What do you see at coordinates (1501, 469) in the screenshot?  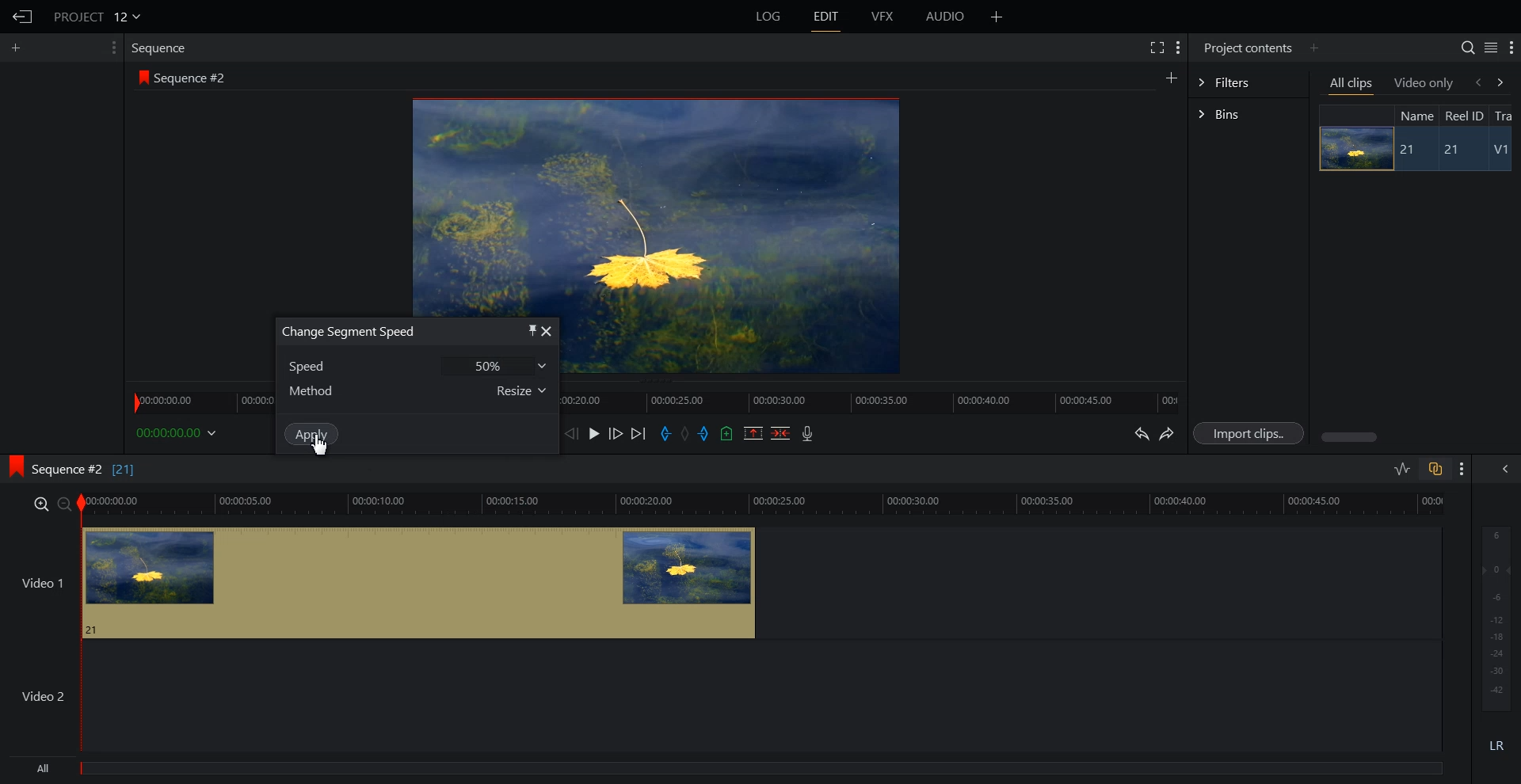 I see `Show the full audio mix` at bounding box center [1501, 469].